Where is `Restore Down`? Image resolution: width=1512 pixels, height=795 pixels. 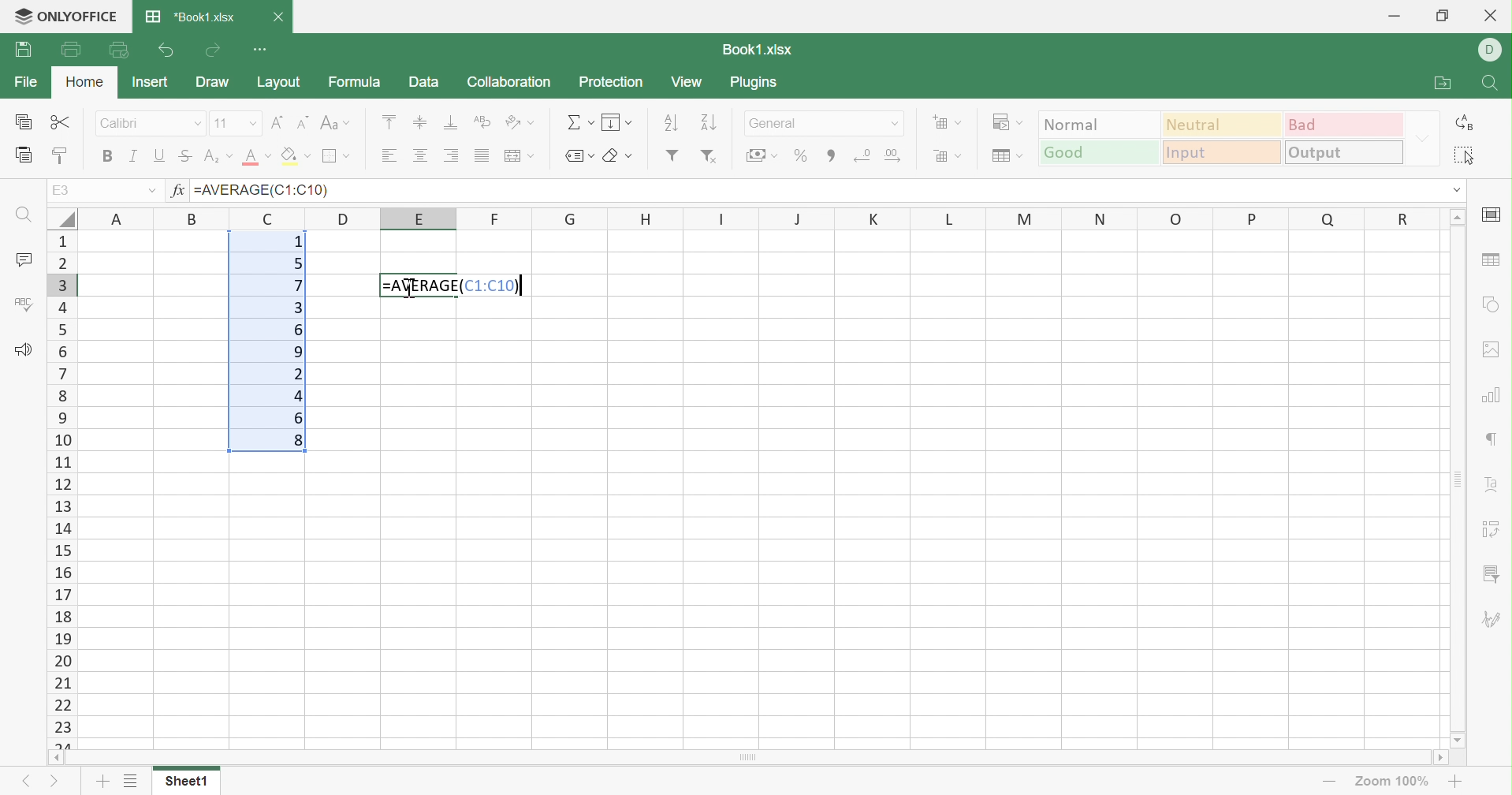
Restore Down is located at coordinates (1446, 15).